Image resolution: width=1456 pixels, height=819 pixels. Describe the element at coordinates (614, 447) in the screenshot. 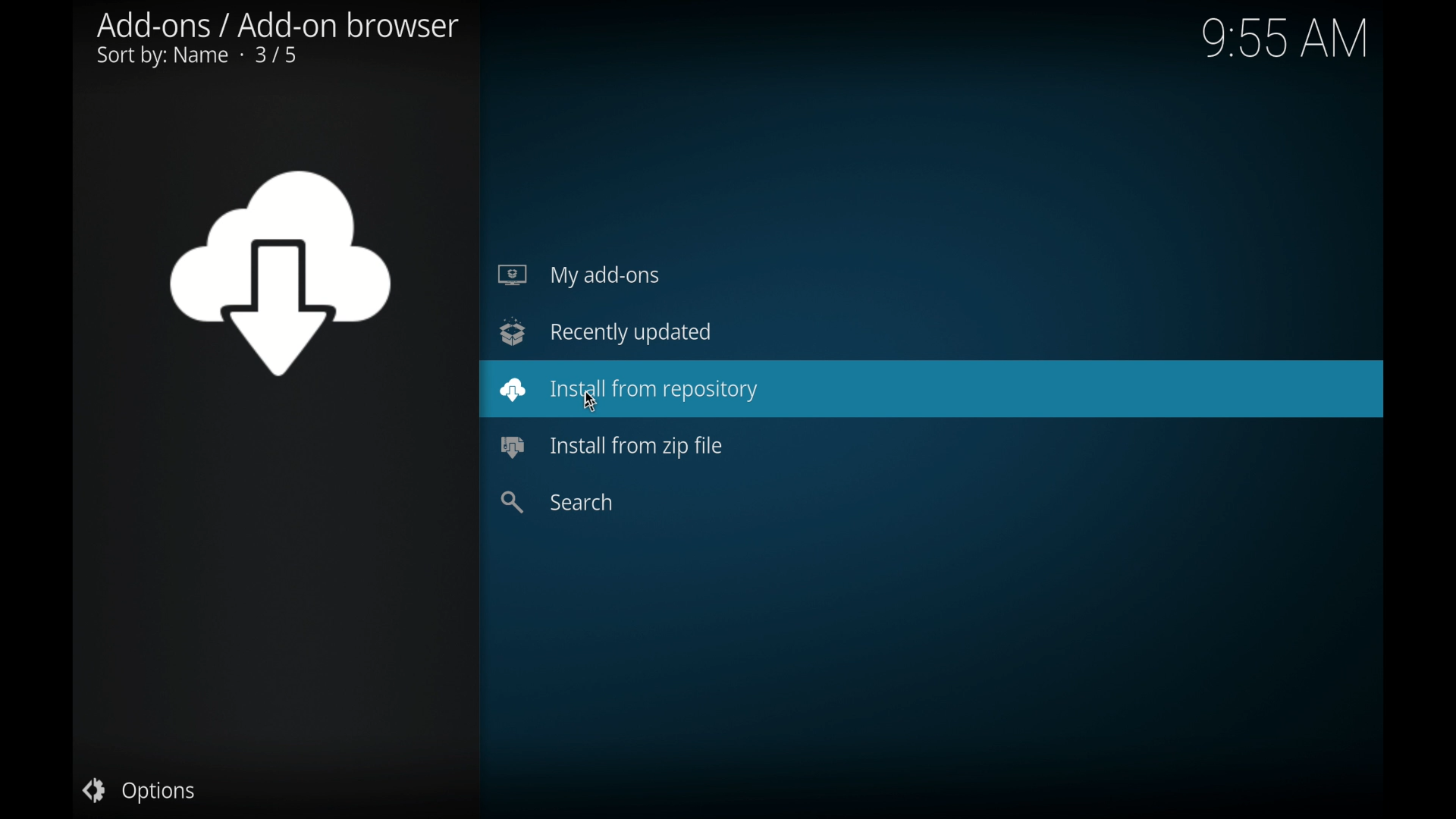

I see `install from zip file` at that location.